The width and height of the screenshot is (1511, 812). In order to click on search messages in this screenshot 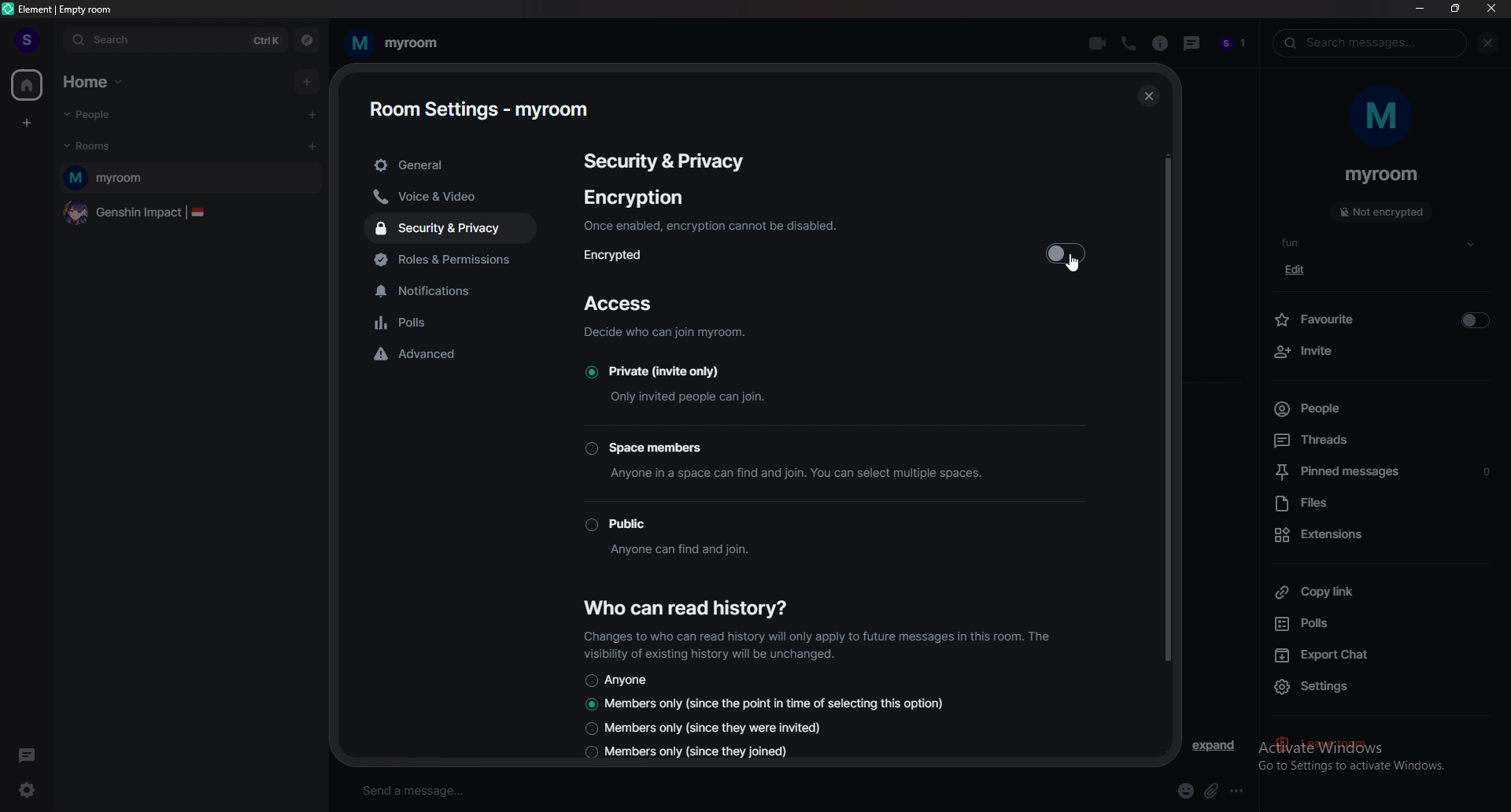, I will do `click(1374, 42)`.